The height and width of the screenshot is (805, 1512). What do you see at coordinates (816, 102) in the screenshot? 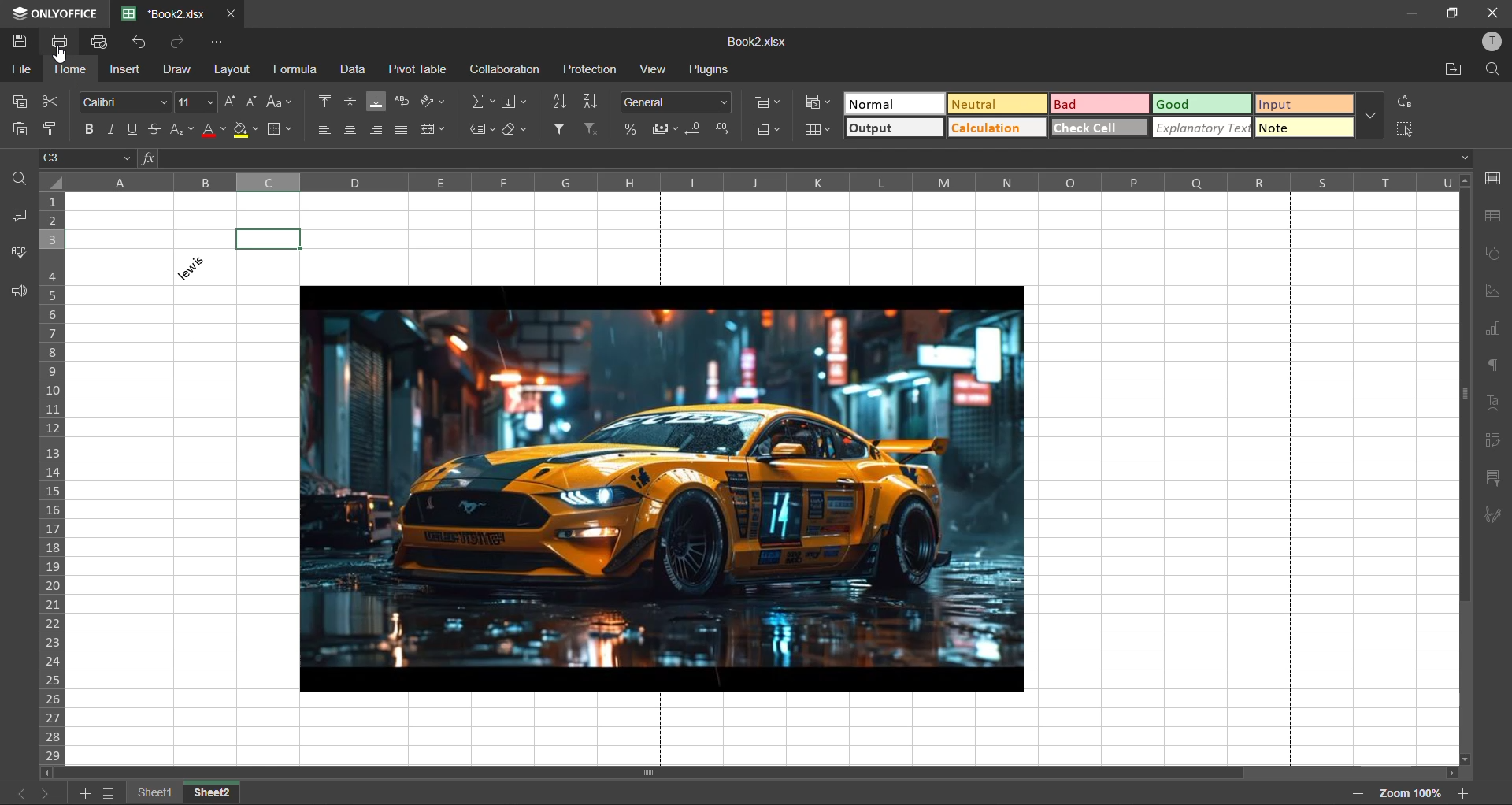
I see `conditional formatting` at bounding box center [816, 102].